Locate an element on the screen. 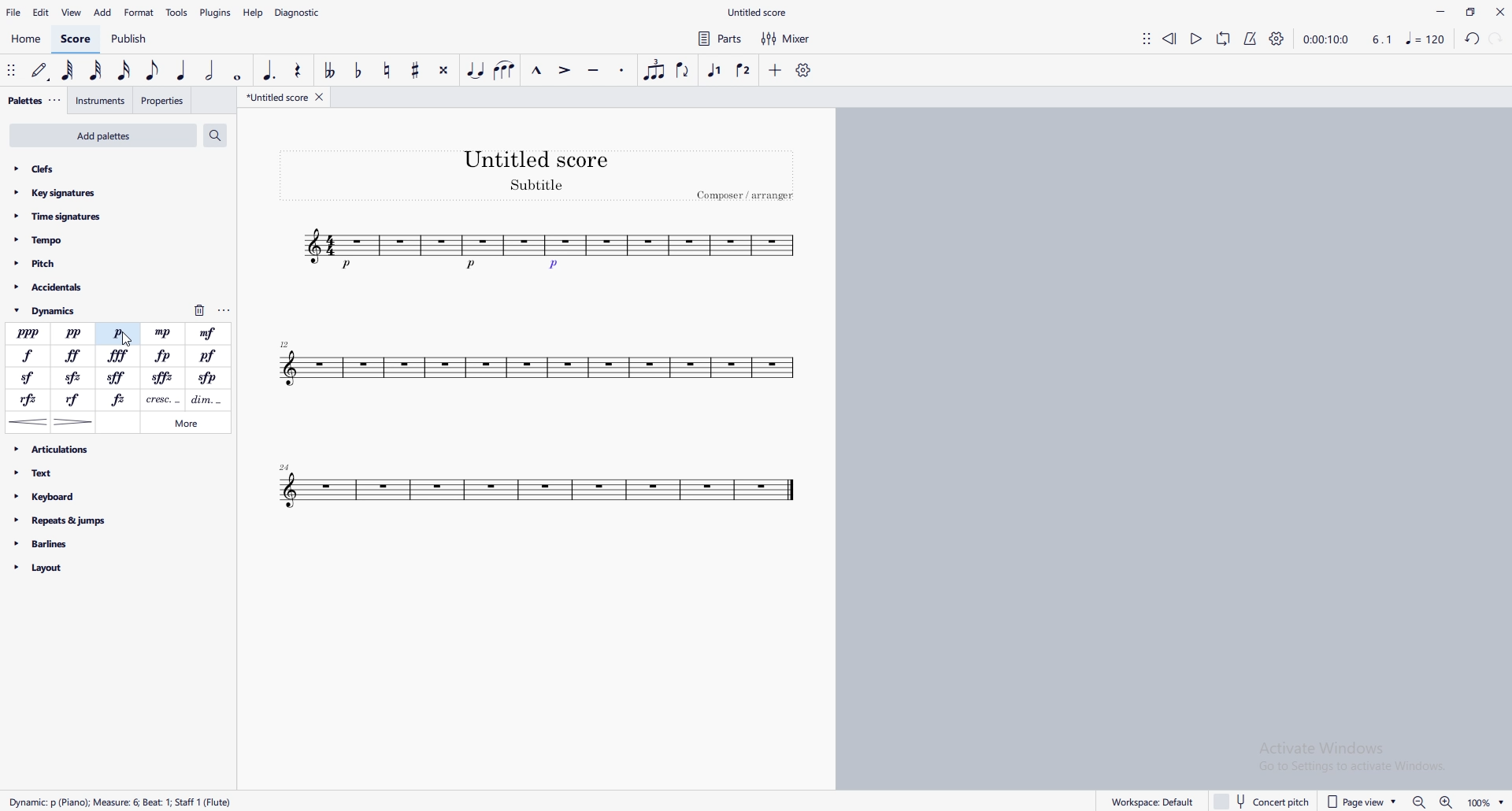 The height and width of the screenshot is (811, 1512). sforzandopiano is located at coordinates (209, 378).